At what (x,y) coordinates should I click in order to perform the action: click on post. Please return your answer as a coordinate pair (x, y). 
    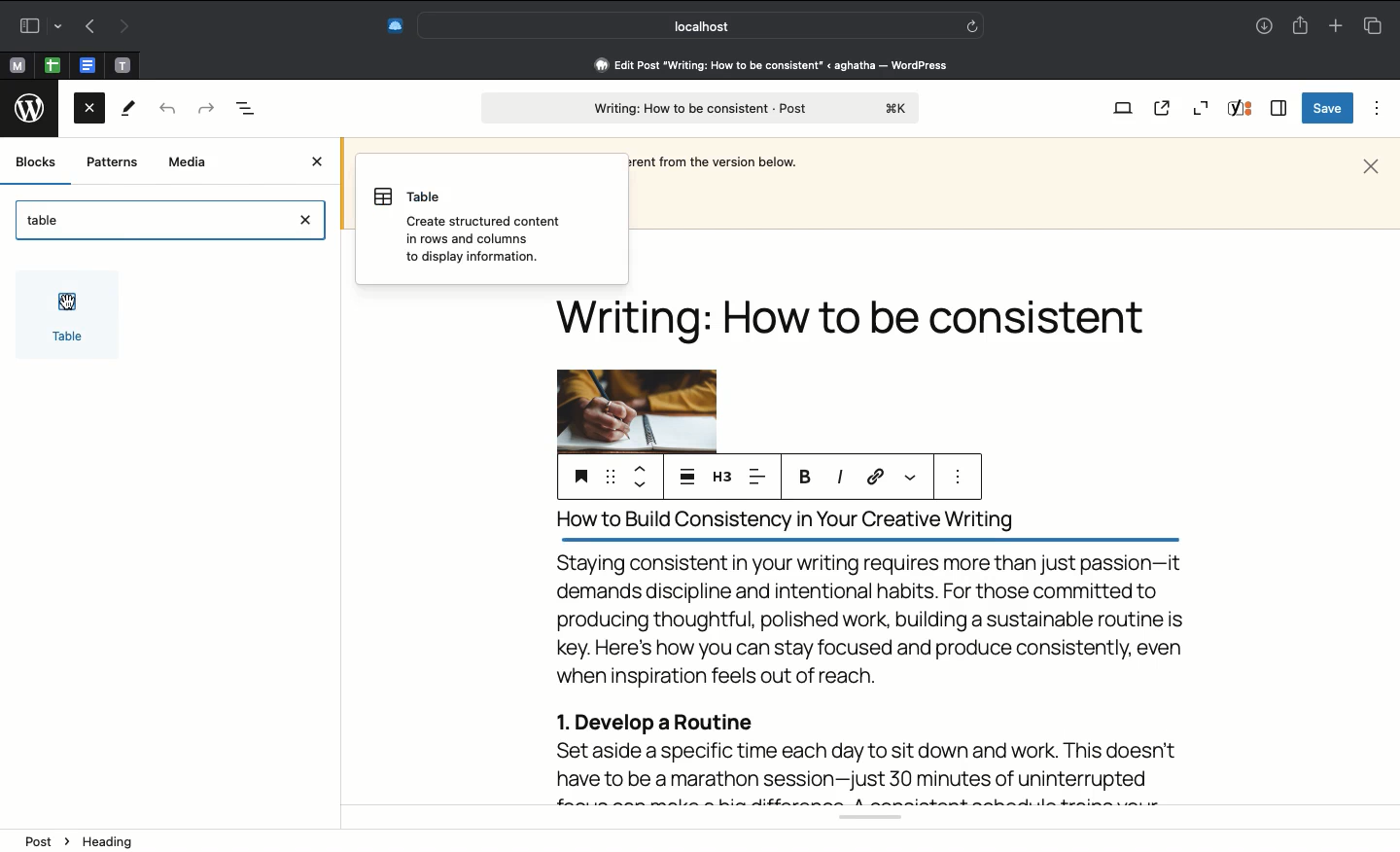
    Looking at the image, I should click on (48, 838).